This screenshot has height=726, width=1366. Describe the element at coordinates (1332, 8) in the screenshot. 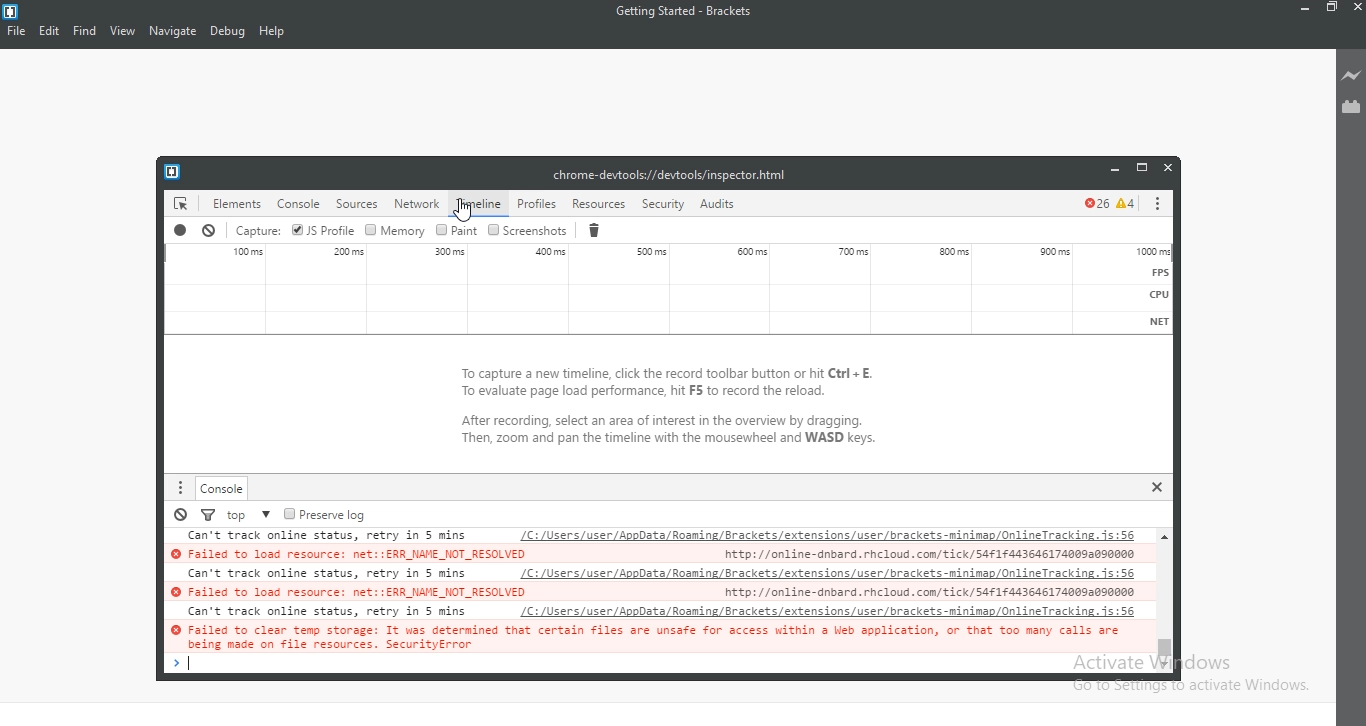

I see `Restore` at that location.